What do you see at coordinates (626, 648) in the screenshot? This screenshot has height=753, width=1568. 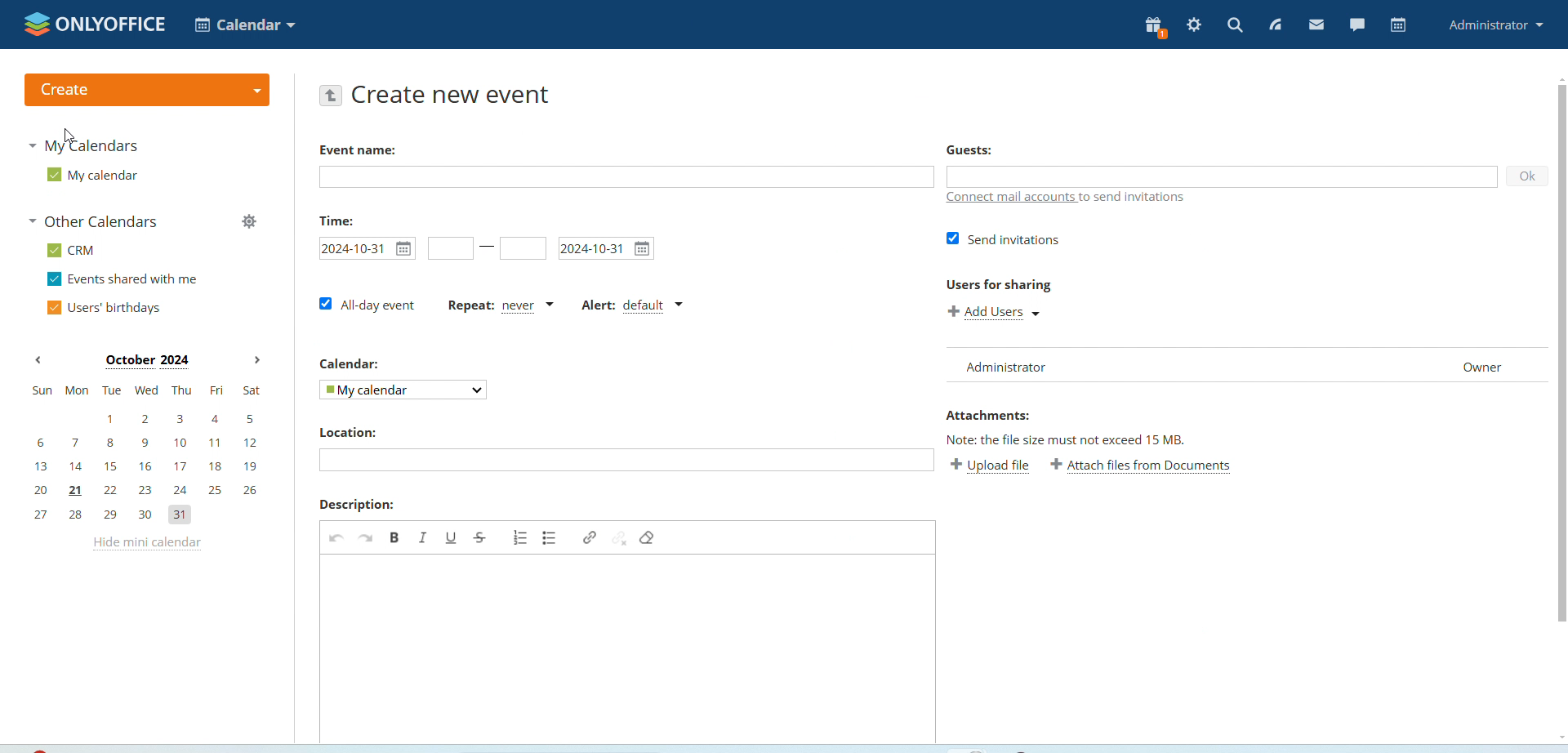 I see `edit description` at bounding box center [626, 648].